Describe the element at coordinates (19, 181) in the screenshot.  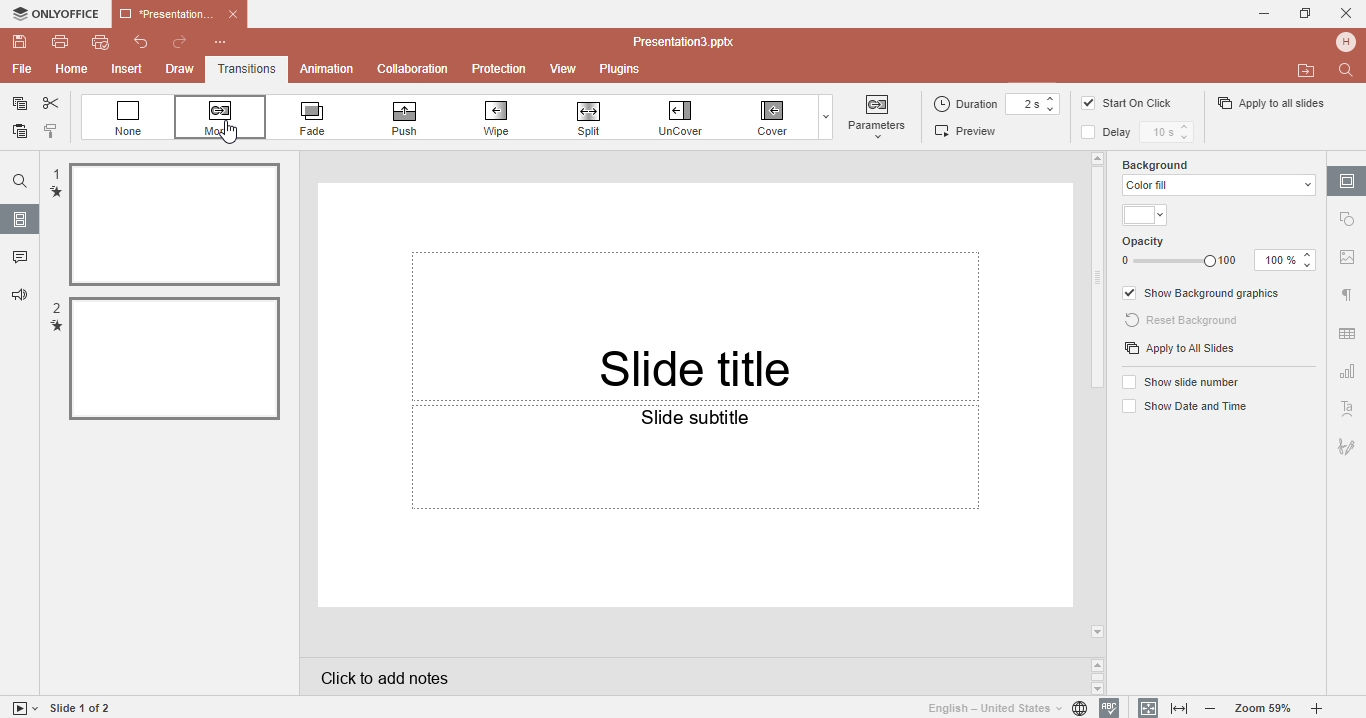
I see `Find` at that location.